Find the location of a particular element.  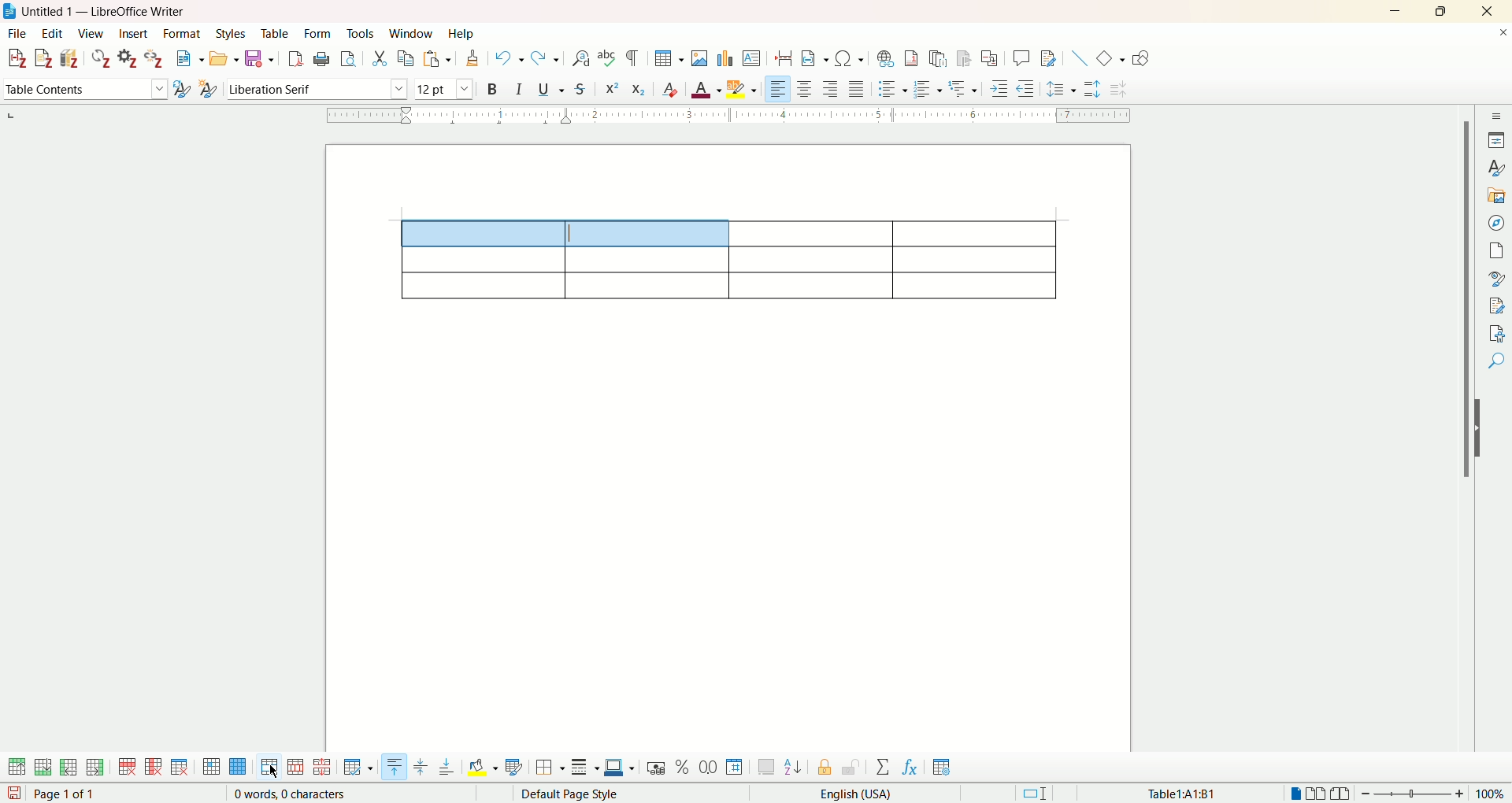

font color is located at coordinates (706, 88).